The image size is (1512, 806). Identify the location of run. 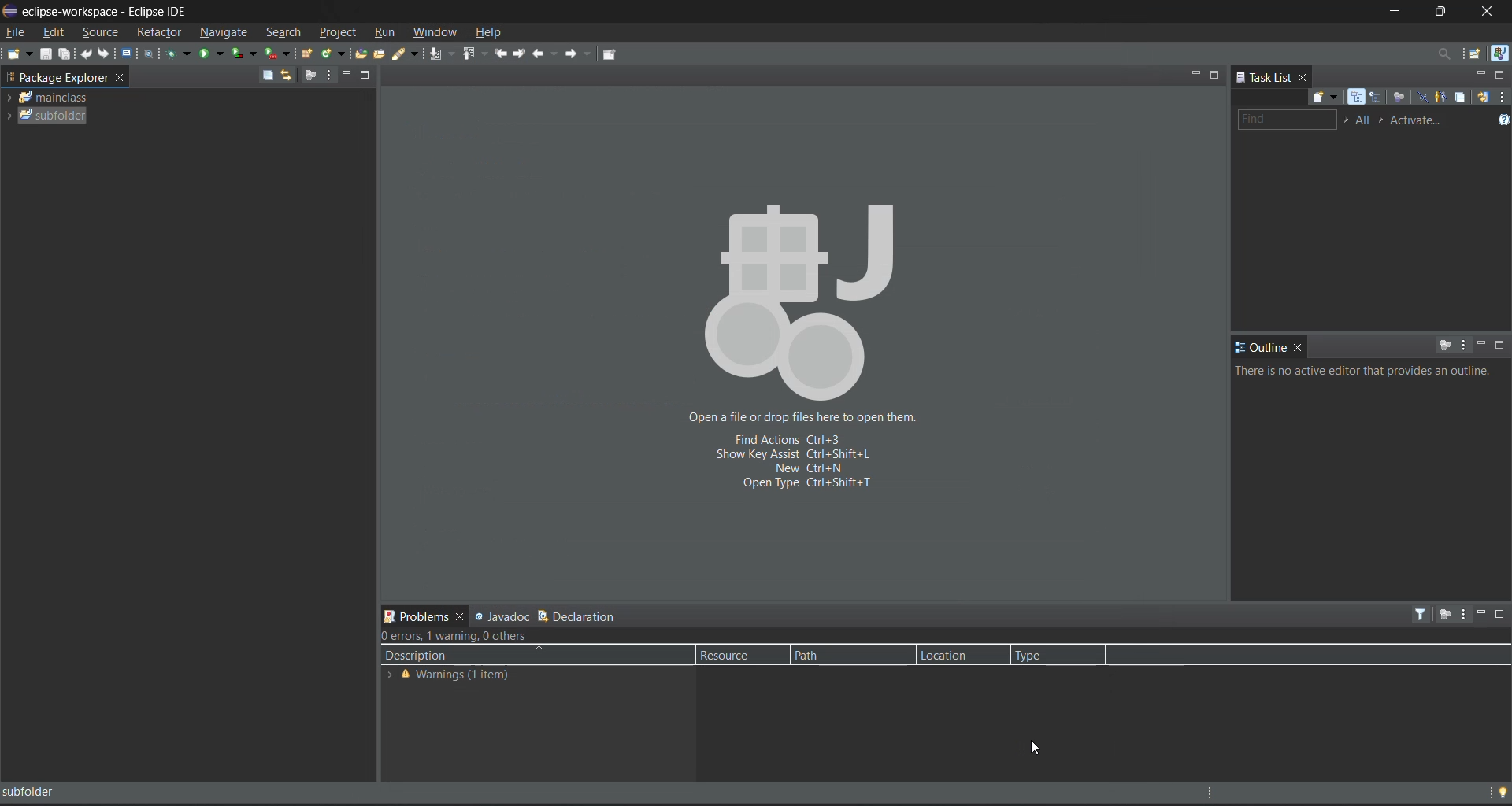
(212, 54).